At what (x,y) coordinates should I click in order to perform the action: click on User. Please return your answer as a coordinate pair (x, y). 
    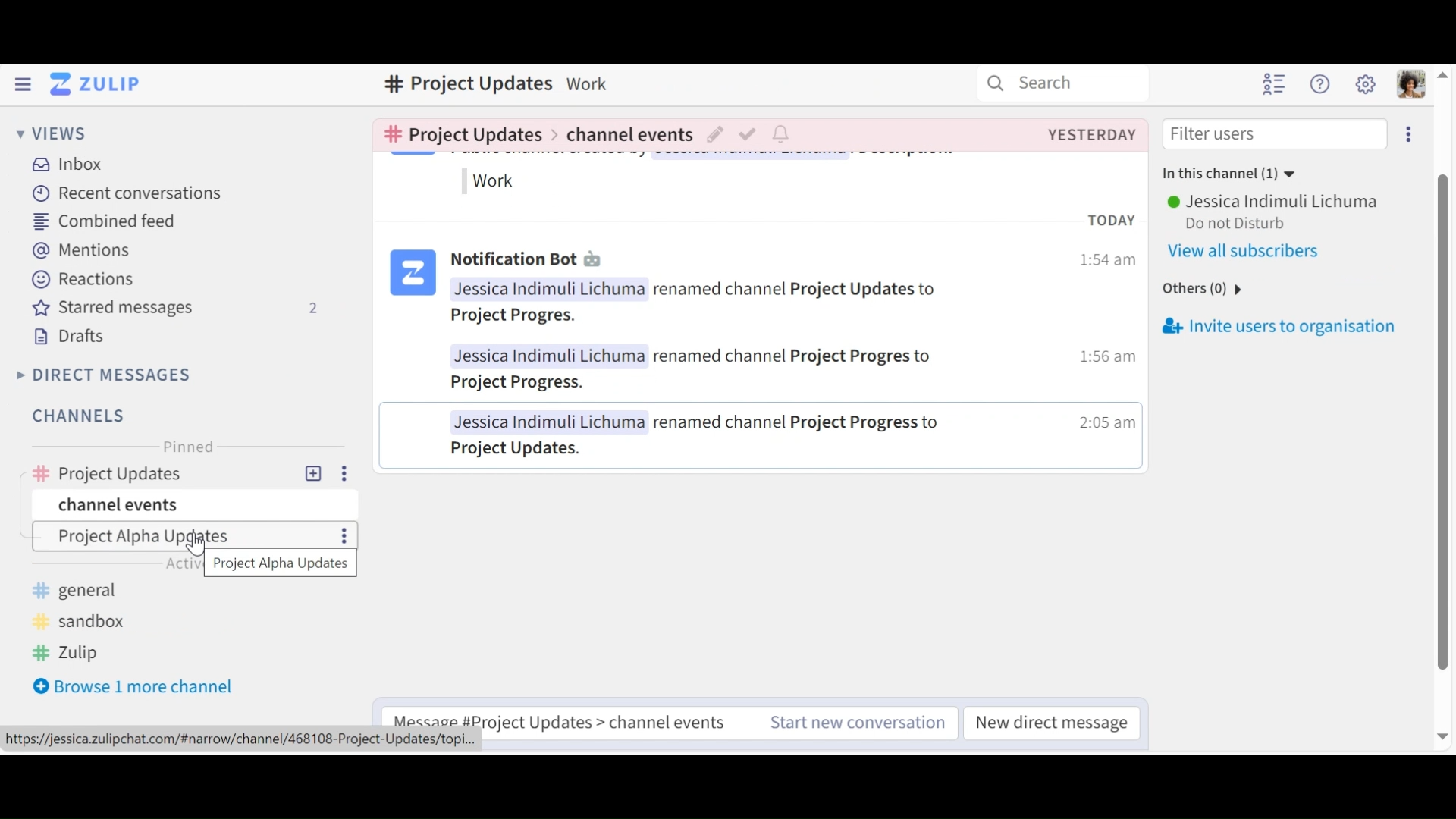
    Looking at the image, I should click on (1272, 203).